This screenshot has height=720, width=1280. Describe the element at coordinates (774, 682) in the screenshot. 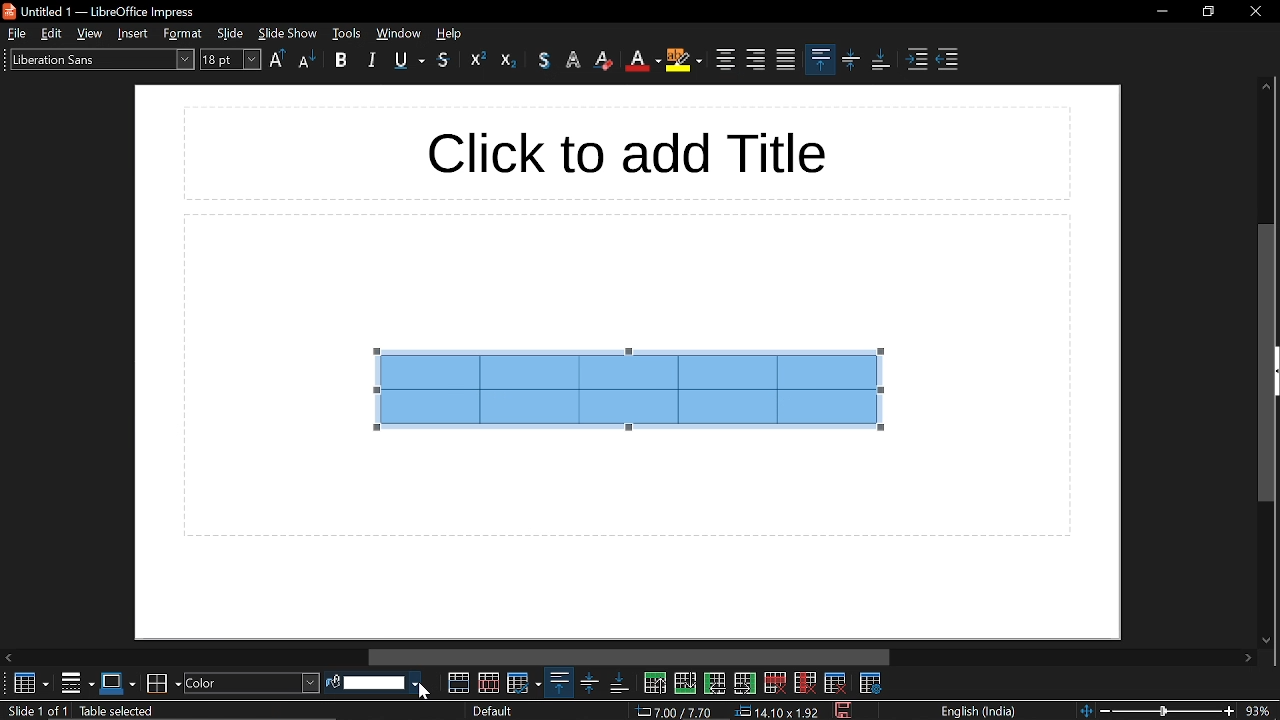

I see `delete row ` at that location.